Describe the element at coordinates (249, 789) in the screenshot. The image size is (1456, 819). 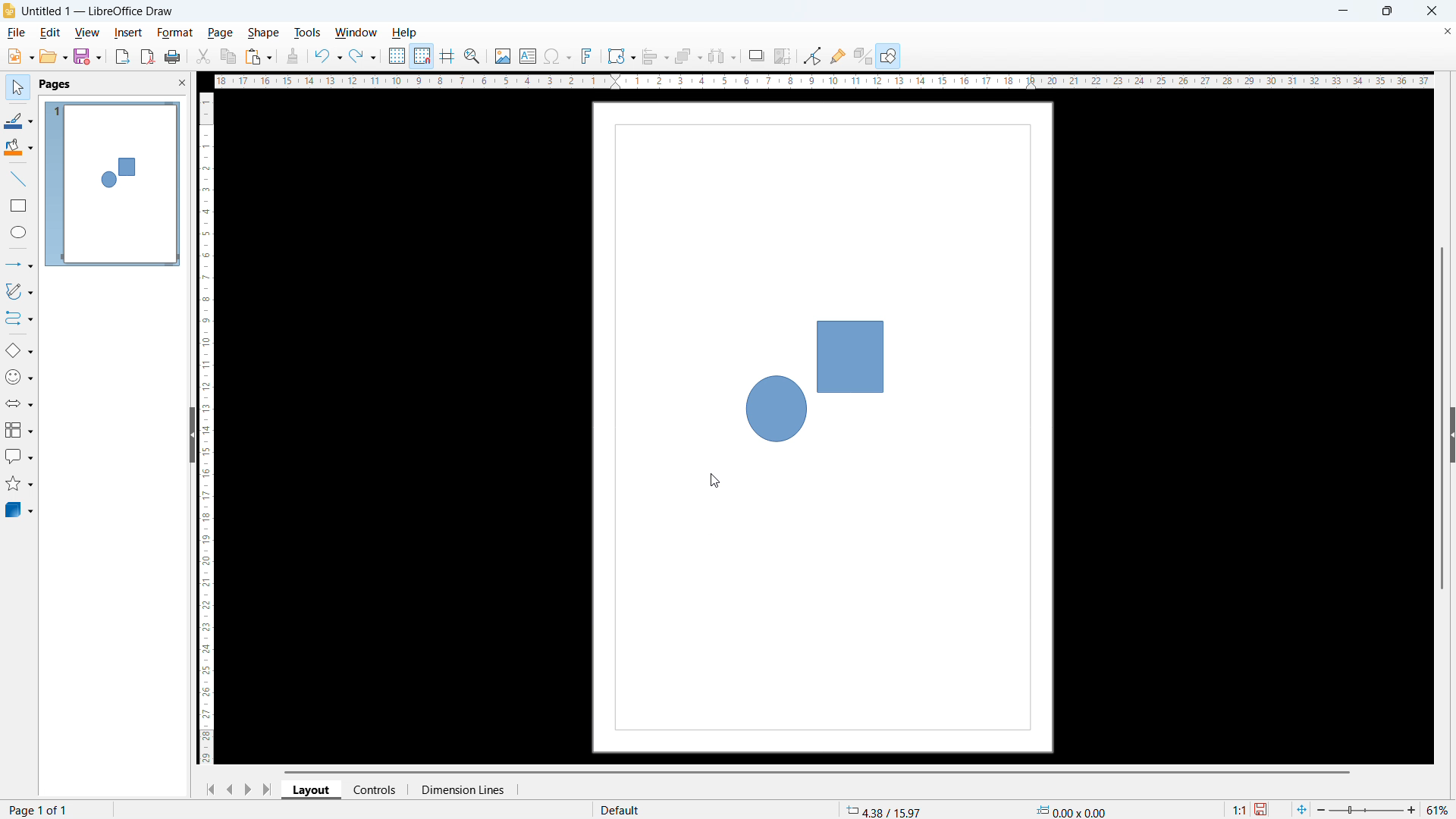
I see `next page` at that location.